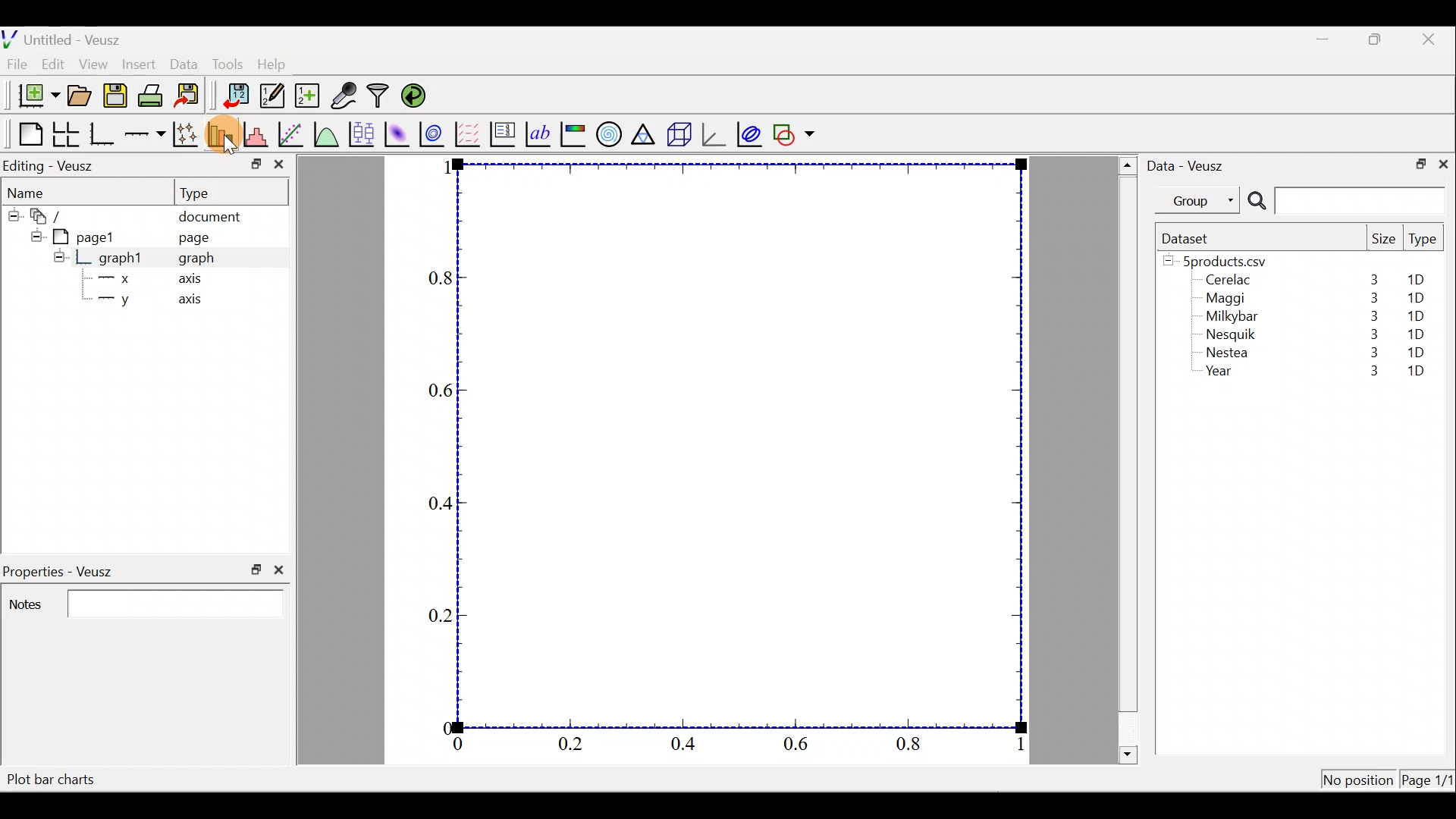 The width and height of the screenshot is (1456, 819). What do you see at coordinates (1189, 164) in the screenshot?
I see `Data - Veusz` at bounding box center [1189, 164].